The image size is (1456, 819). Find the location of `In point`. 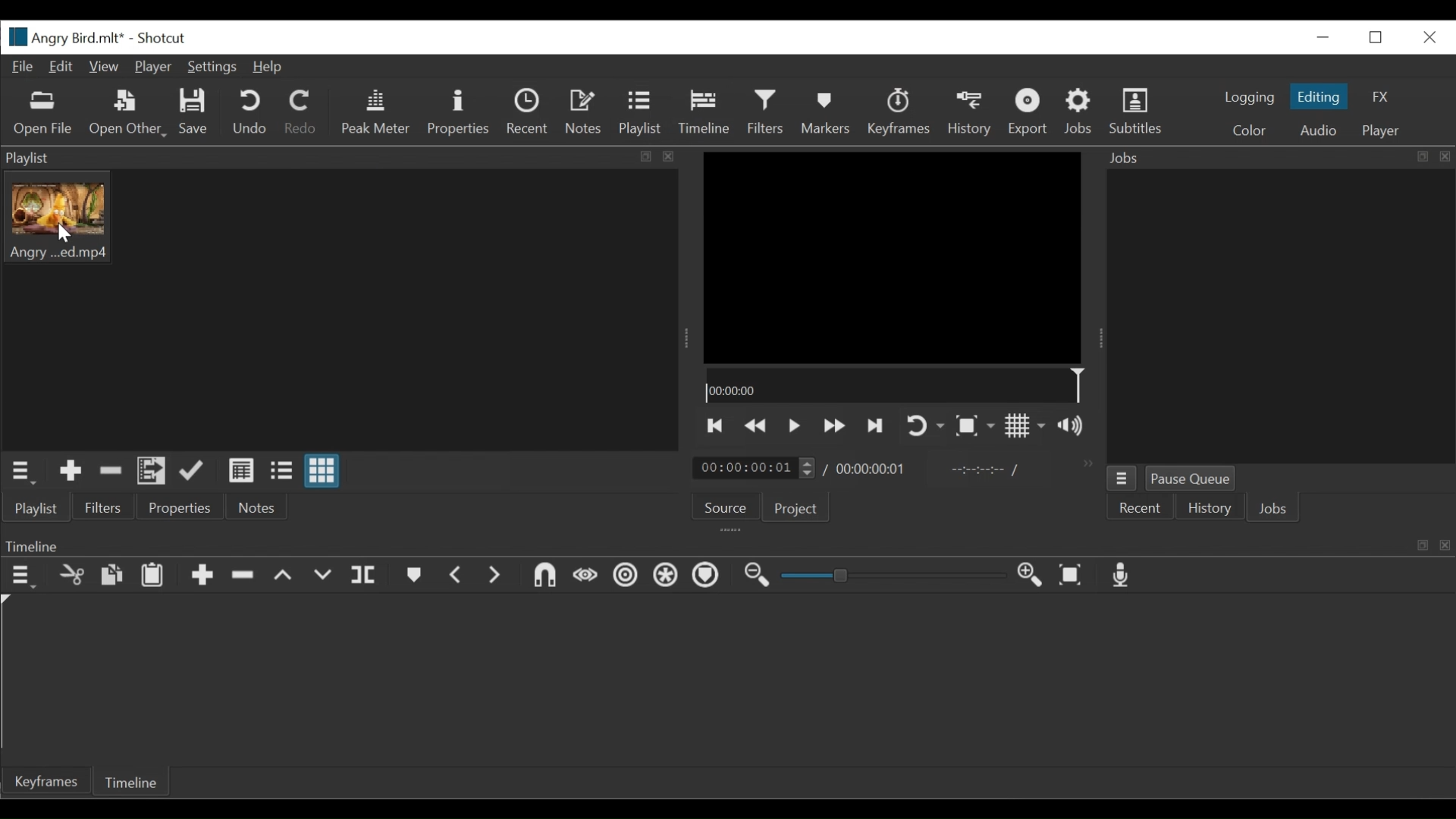

In point is located at coordinates (984, 469).